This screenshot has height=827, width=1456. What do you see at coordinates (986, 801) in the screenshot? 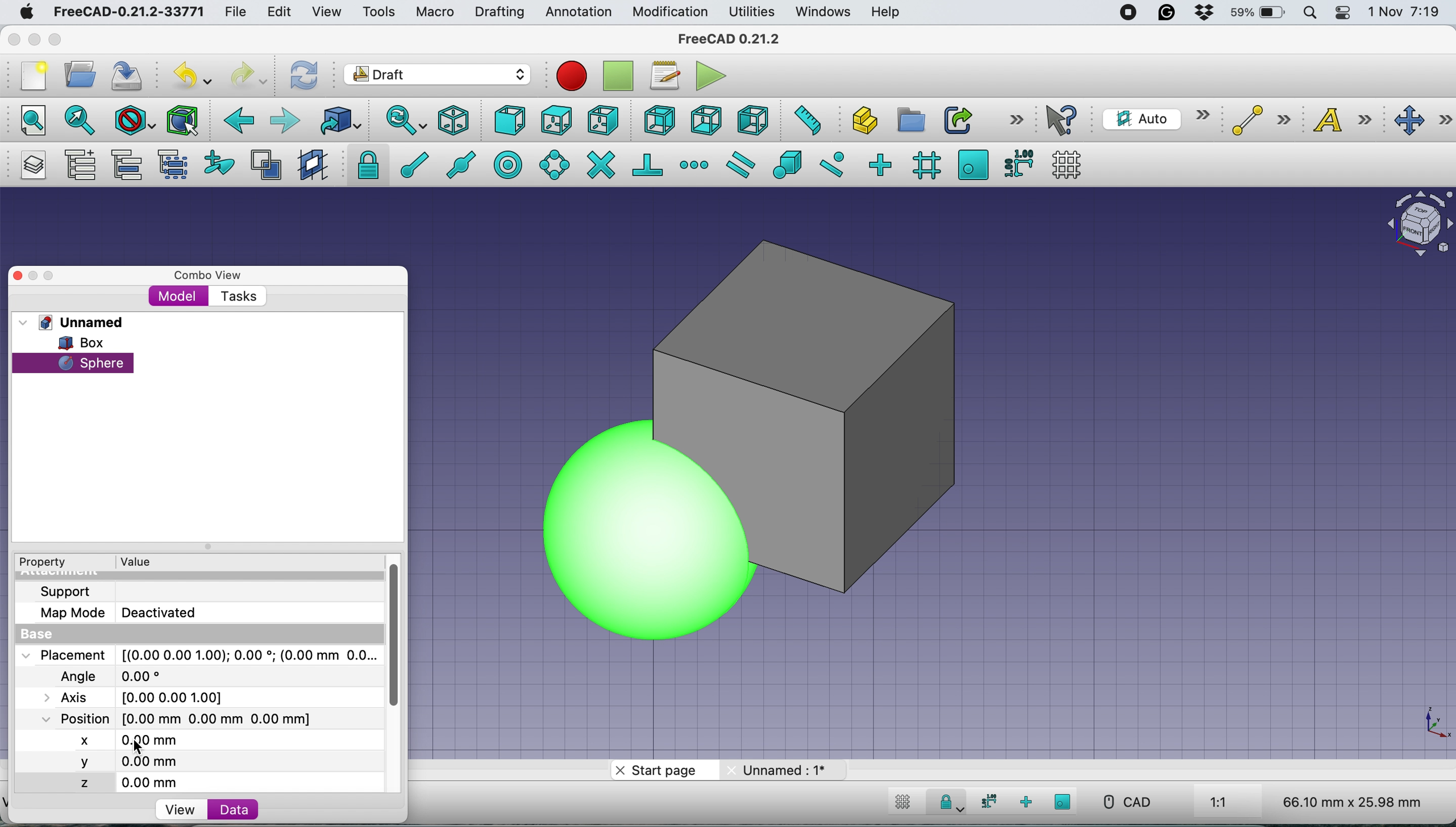
I see `snap dimensions` at bounding box center [986, 801].